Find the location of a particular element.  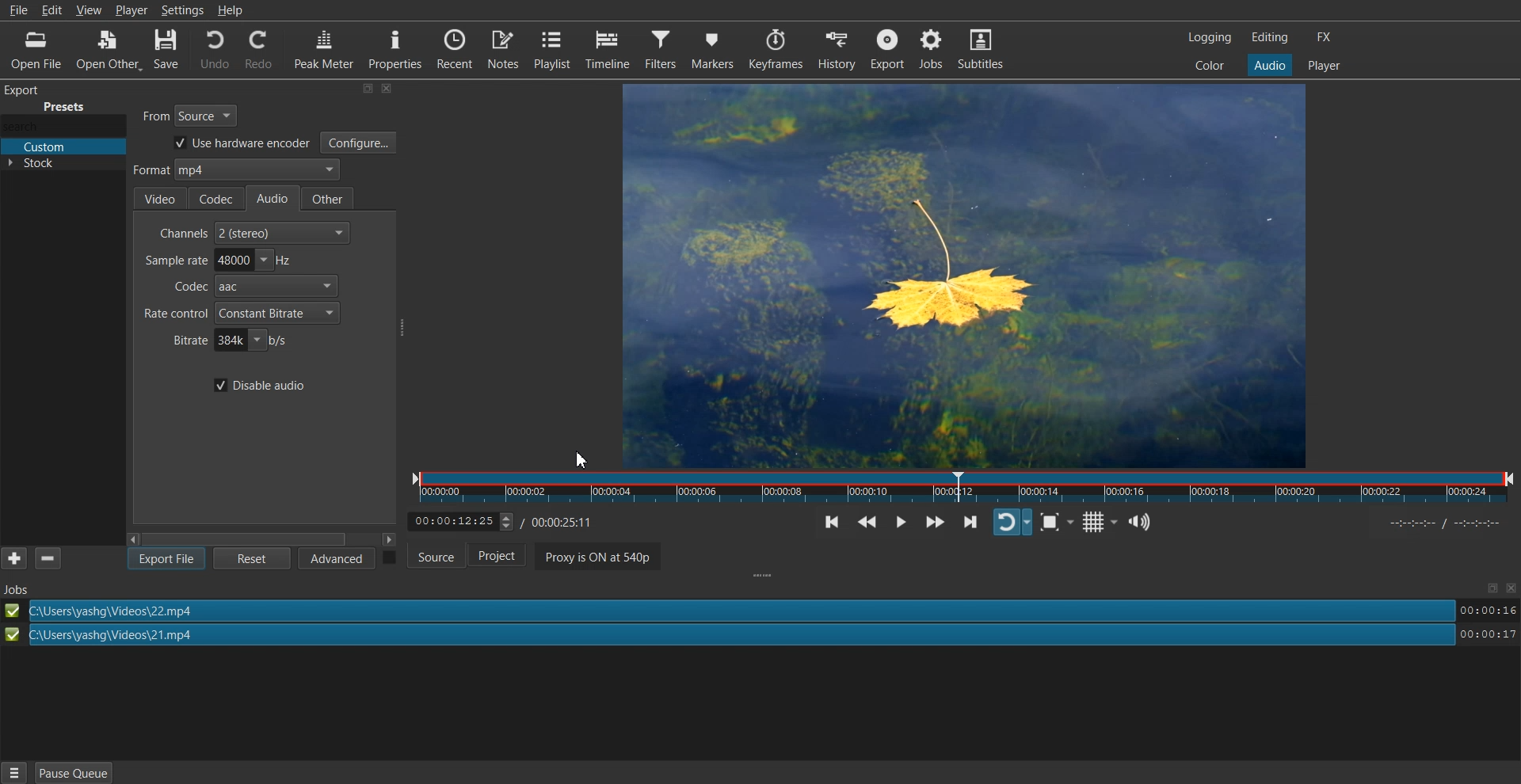

View is located at coordinates (90, 9).